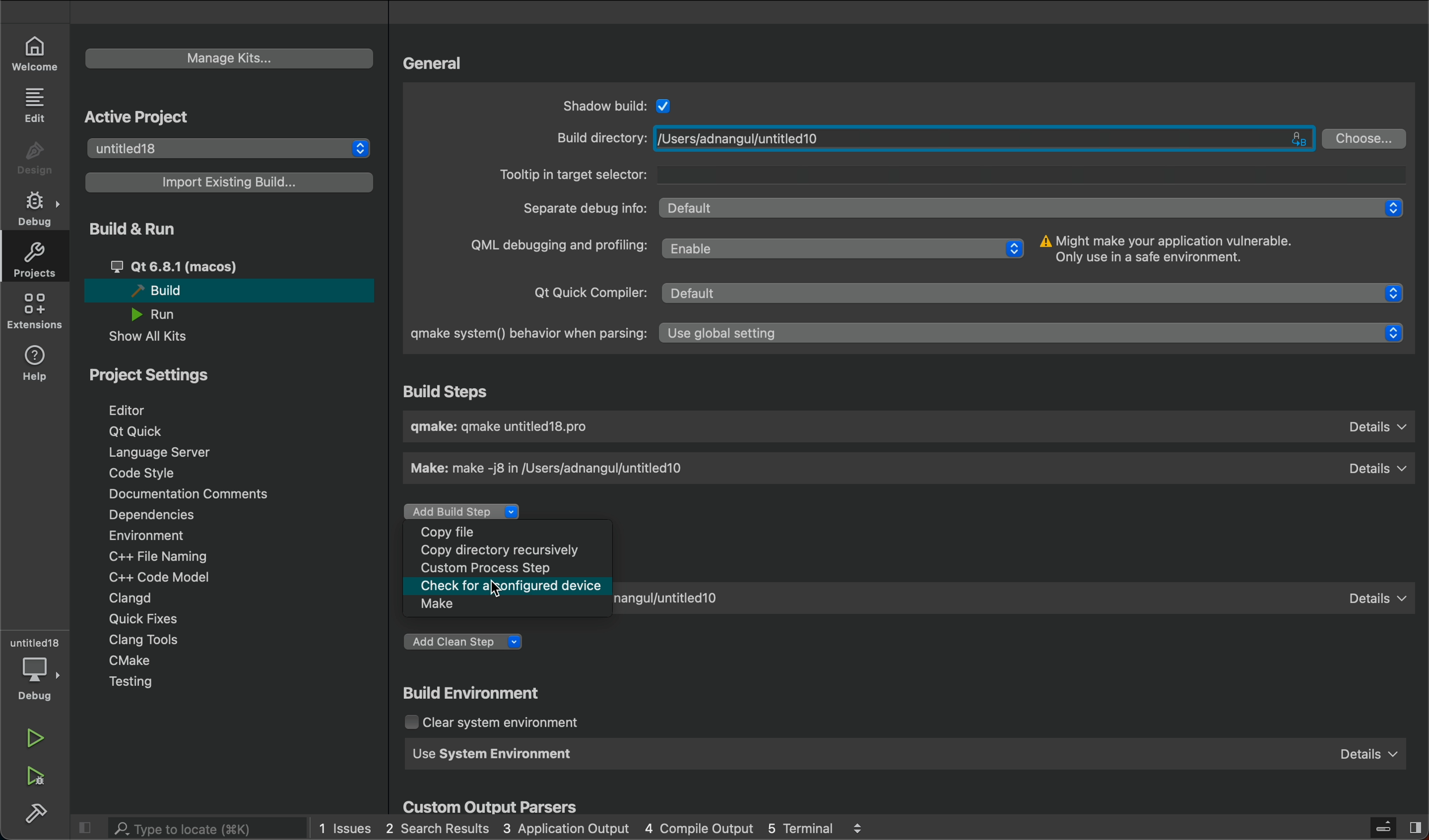 This screenshot has width=1429, height=840. What do you see at coordinates (138, 660) in the screenshot?
I see `cmake` at bounding box center [138, 660].